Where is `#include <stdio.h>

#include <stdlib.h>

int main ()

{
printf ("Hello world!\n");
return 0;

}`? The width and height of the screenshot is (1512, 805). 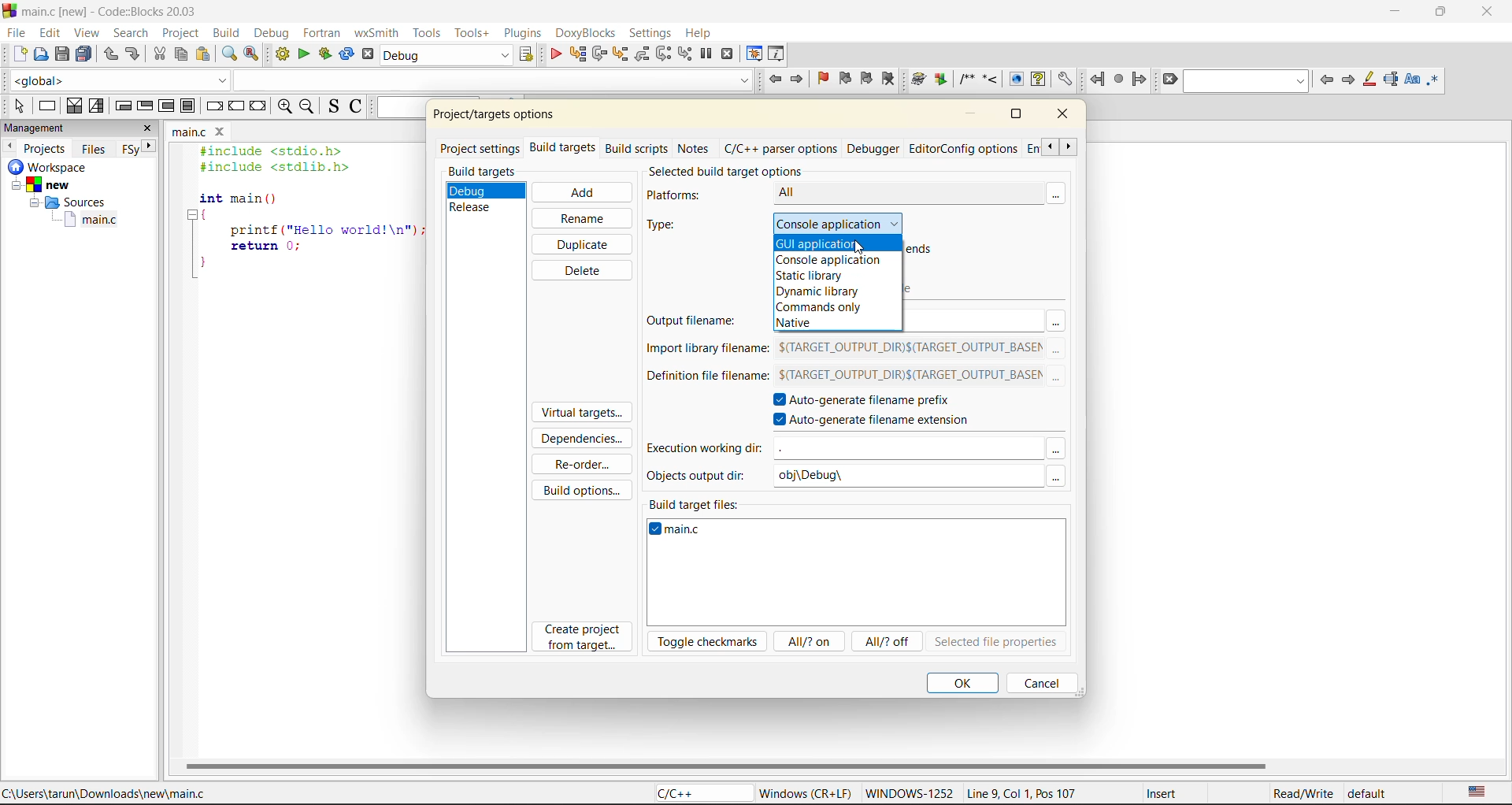
#include <stdio.h>

#include <stdlib.h>

int main ()

{
printf ("Hello world!\n");
return 0;

} is located at coordinates (302, 217).